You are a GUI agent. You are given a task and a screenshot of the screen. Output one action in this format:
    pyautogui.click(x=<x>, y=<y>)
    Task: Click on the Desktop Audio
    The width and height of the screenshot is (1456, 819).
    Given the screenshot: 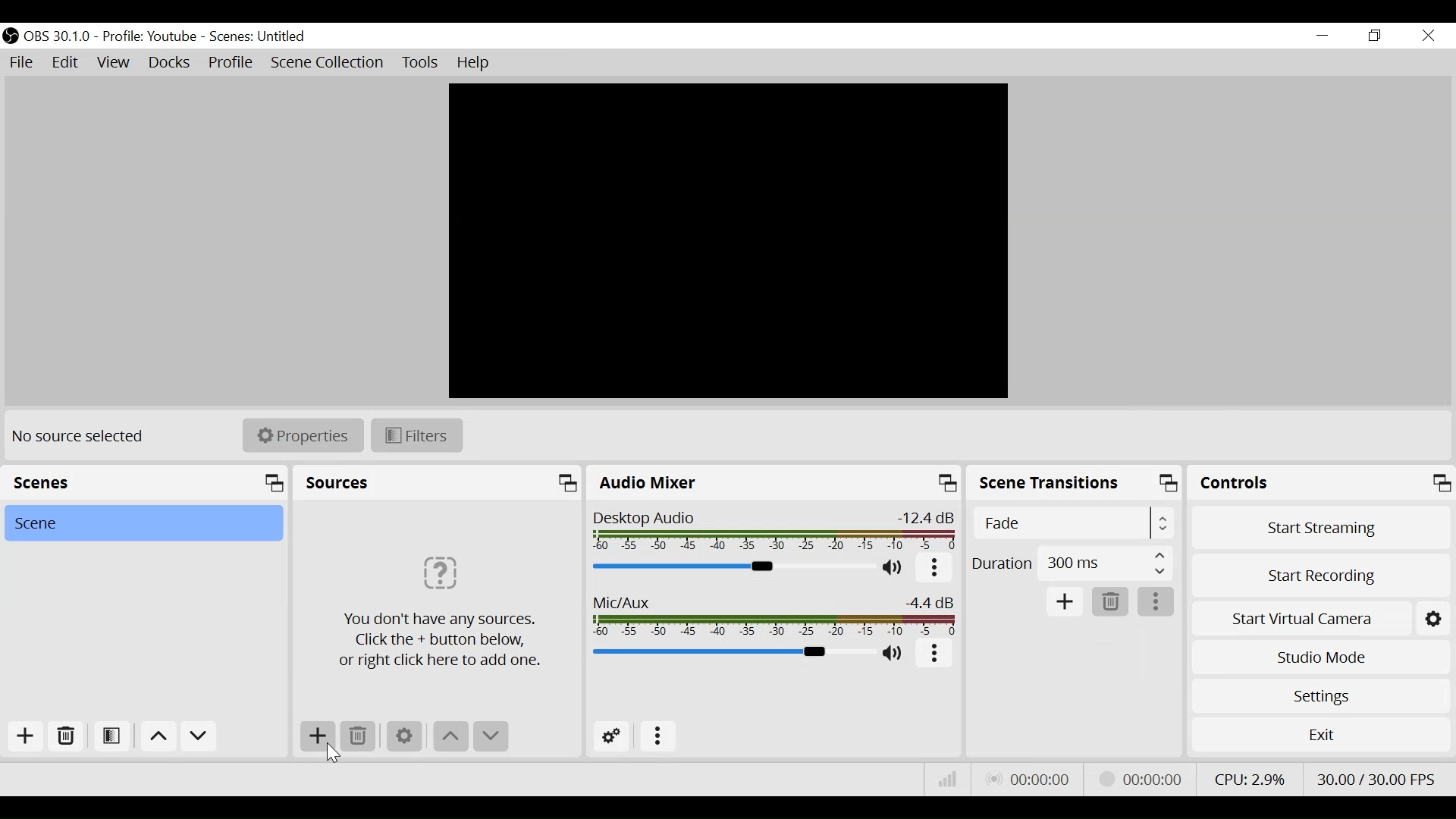 What is the action you would take?
    pyautogui.click(x=773, y=532)
    